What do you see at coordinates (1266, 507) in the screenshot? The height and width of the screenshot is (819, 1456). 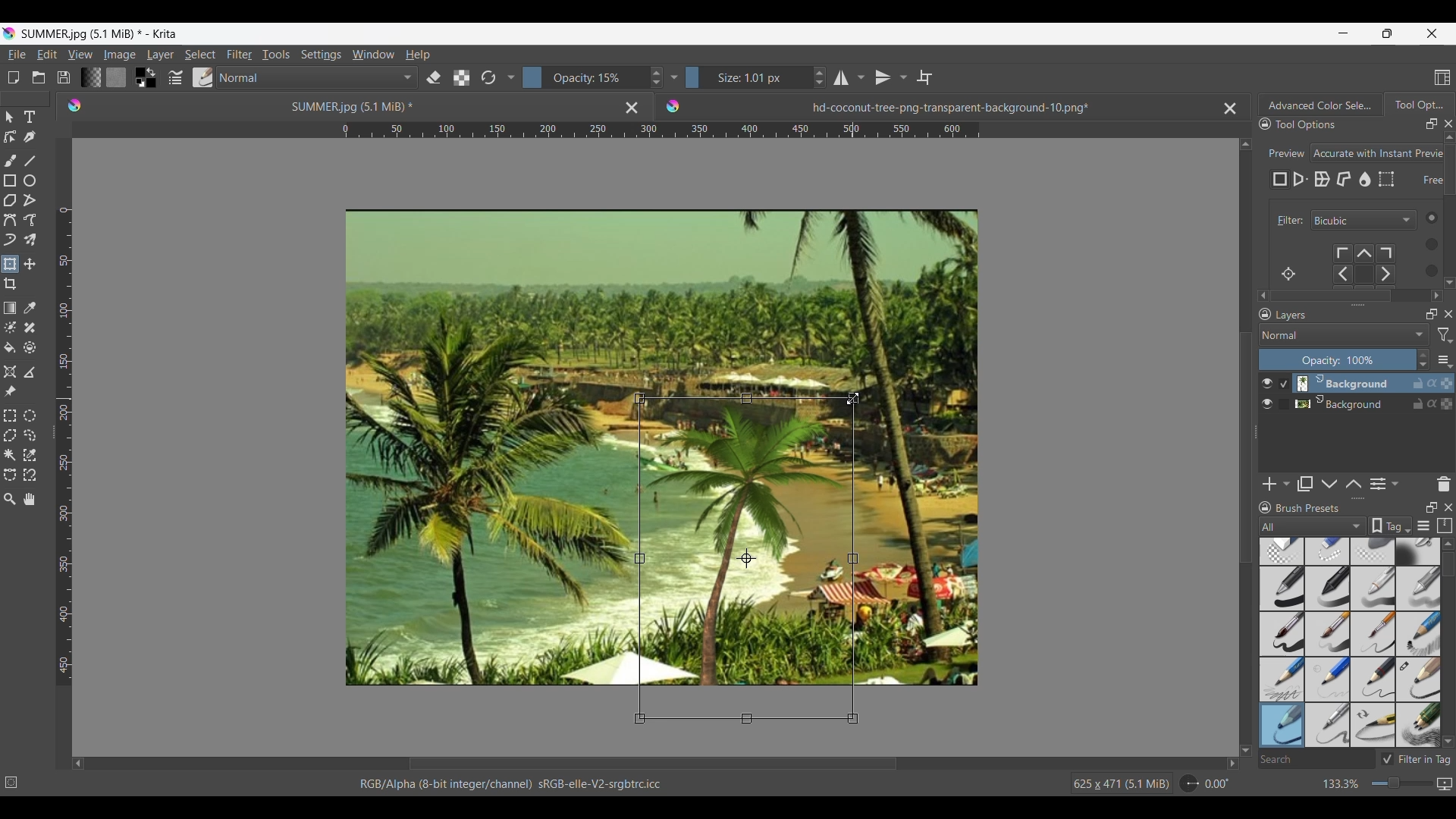 I see `Lock Brush Presets panel` at bounding box center [1266, 507].